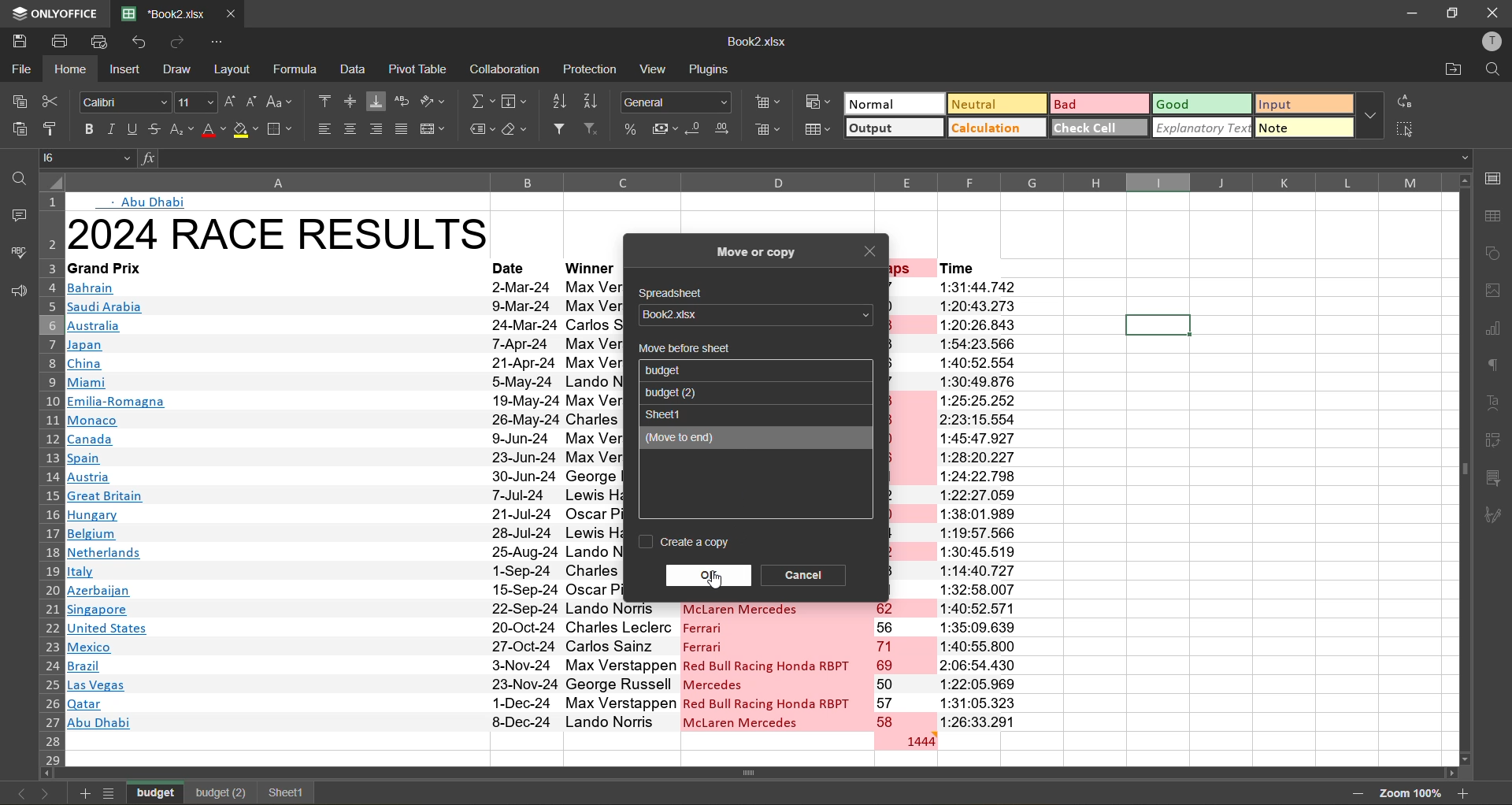 This screenshot has height=805, width=1512. Describe the element at coordinates (714, 72) in the screenshot. I see `plugin` at that location.